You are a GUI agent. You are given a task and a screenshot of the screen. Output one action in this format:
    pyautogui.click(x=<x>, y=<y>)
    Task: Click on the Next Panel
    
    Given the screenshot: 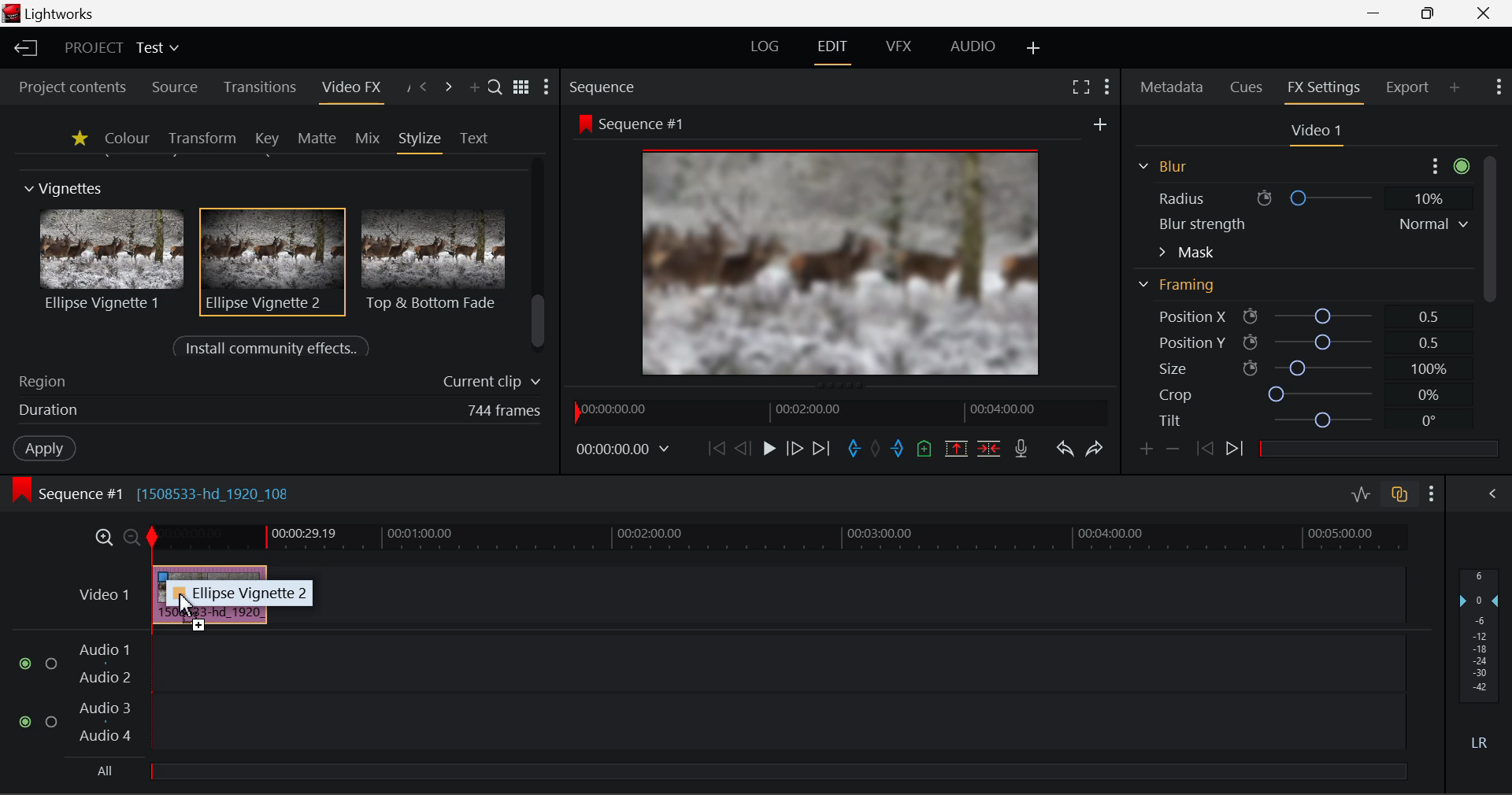 What is the action you would take?
    pyautogui.click(x=449, y=87)
    